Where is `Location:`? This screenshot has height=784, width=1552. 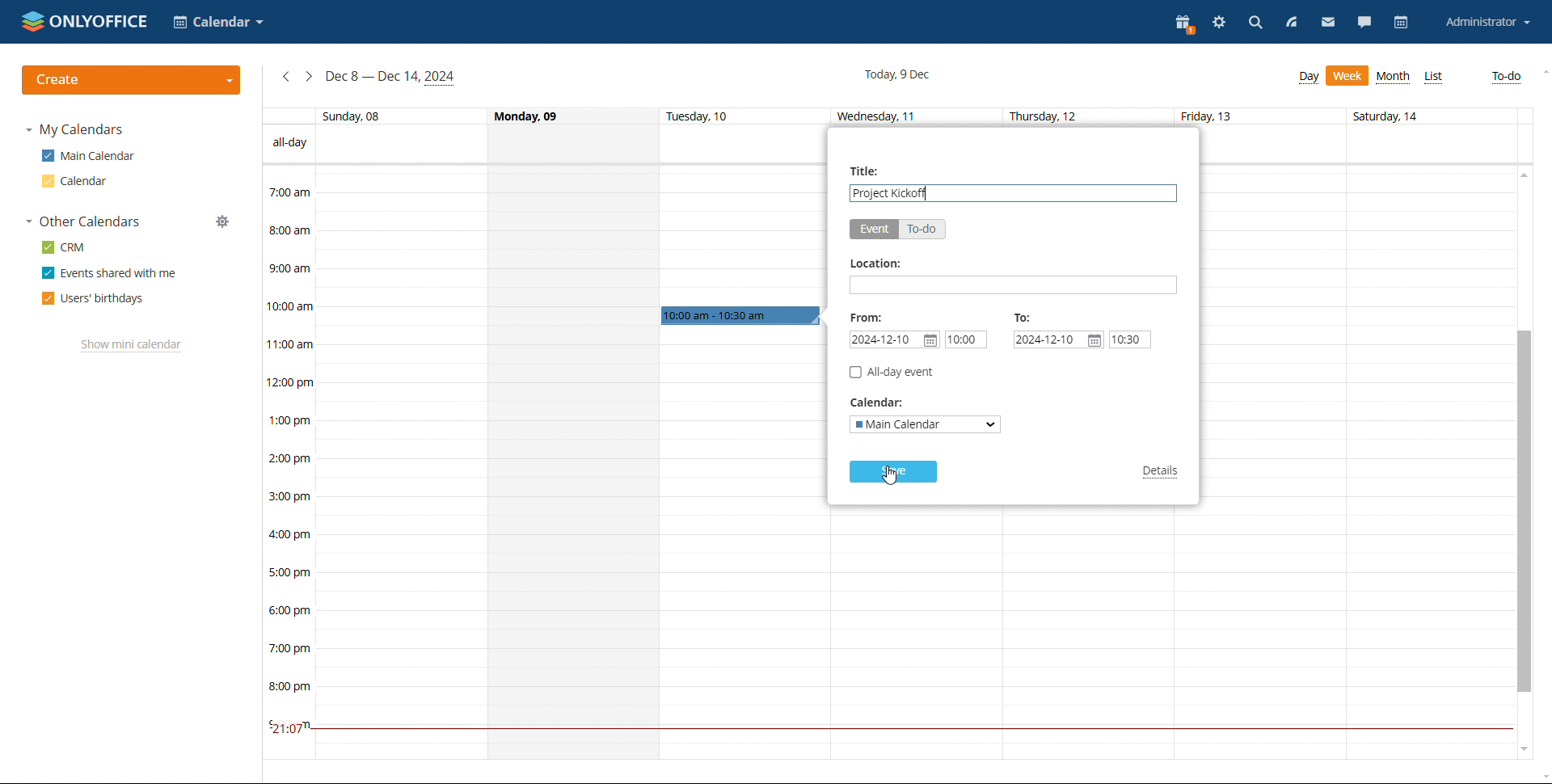 Location: is located at coordinates (875, 264).